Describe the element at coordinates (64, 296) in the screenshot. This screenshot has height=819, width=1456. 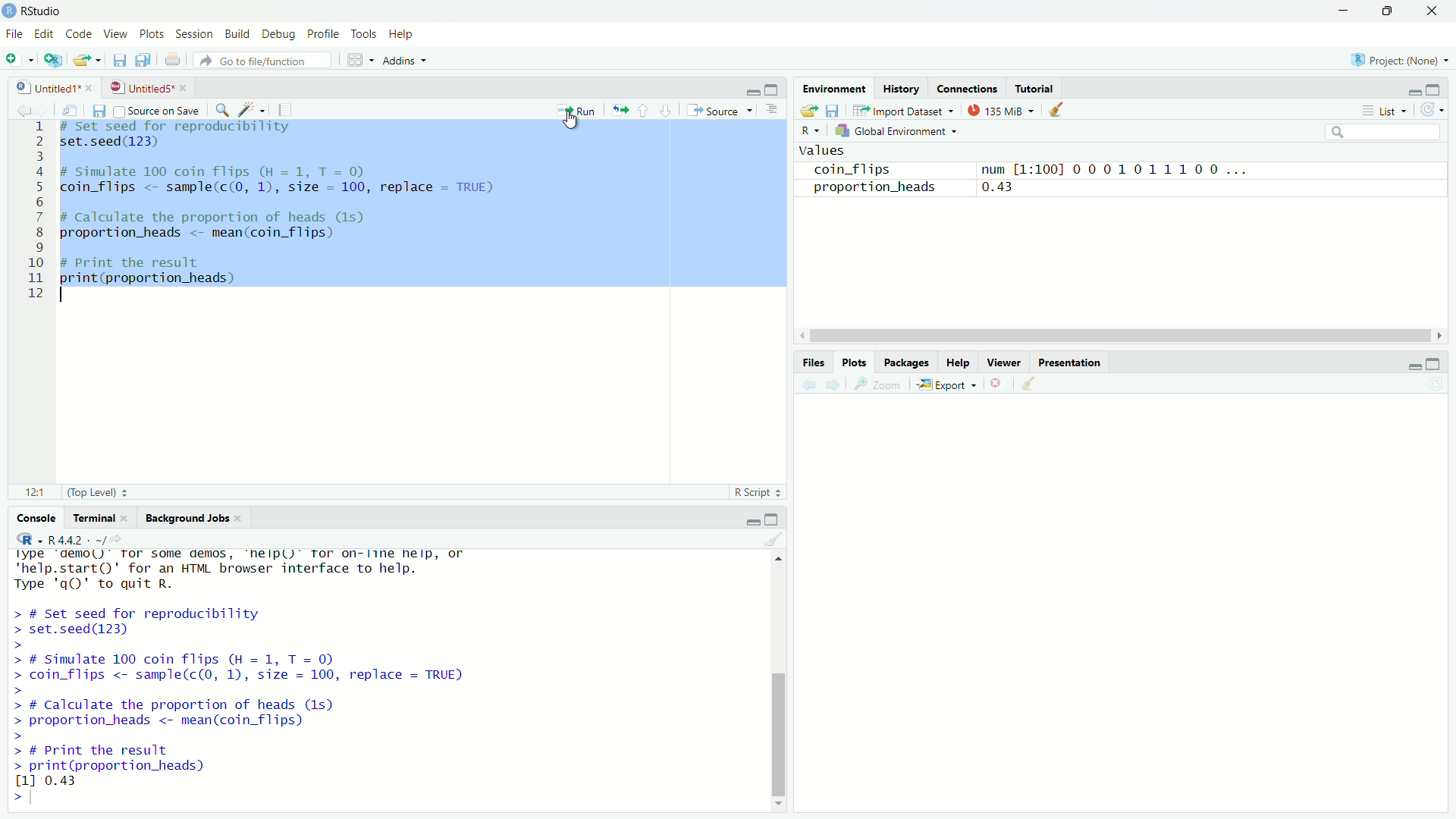
I see `typing cursor` at that location.